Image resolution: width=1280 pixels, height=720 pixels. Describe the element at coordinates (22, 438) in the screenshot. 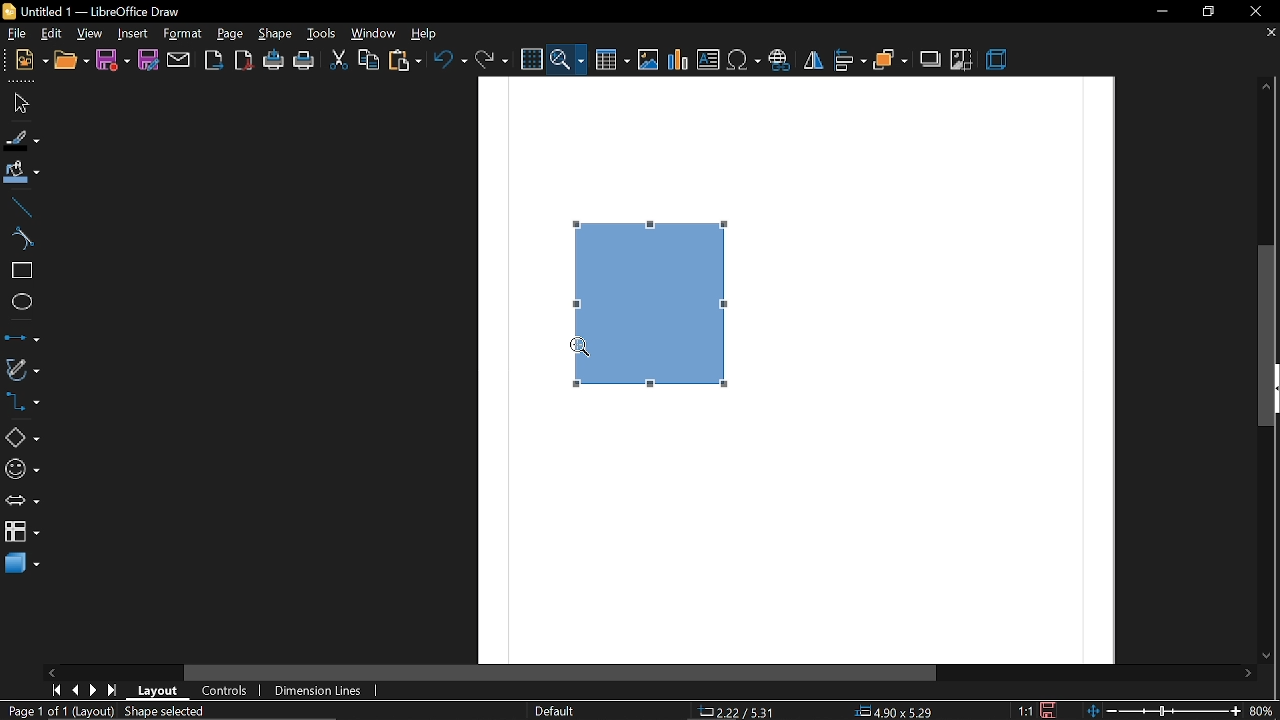

I see `basic shapes` at that location.